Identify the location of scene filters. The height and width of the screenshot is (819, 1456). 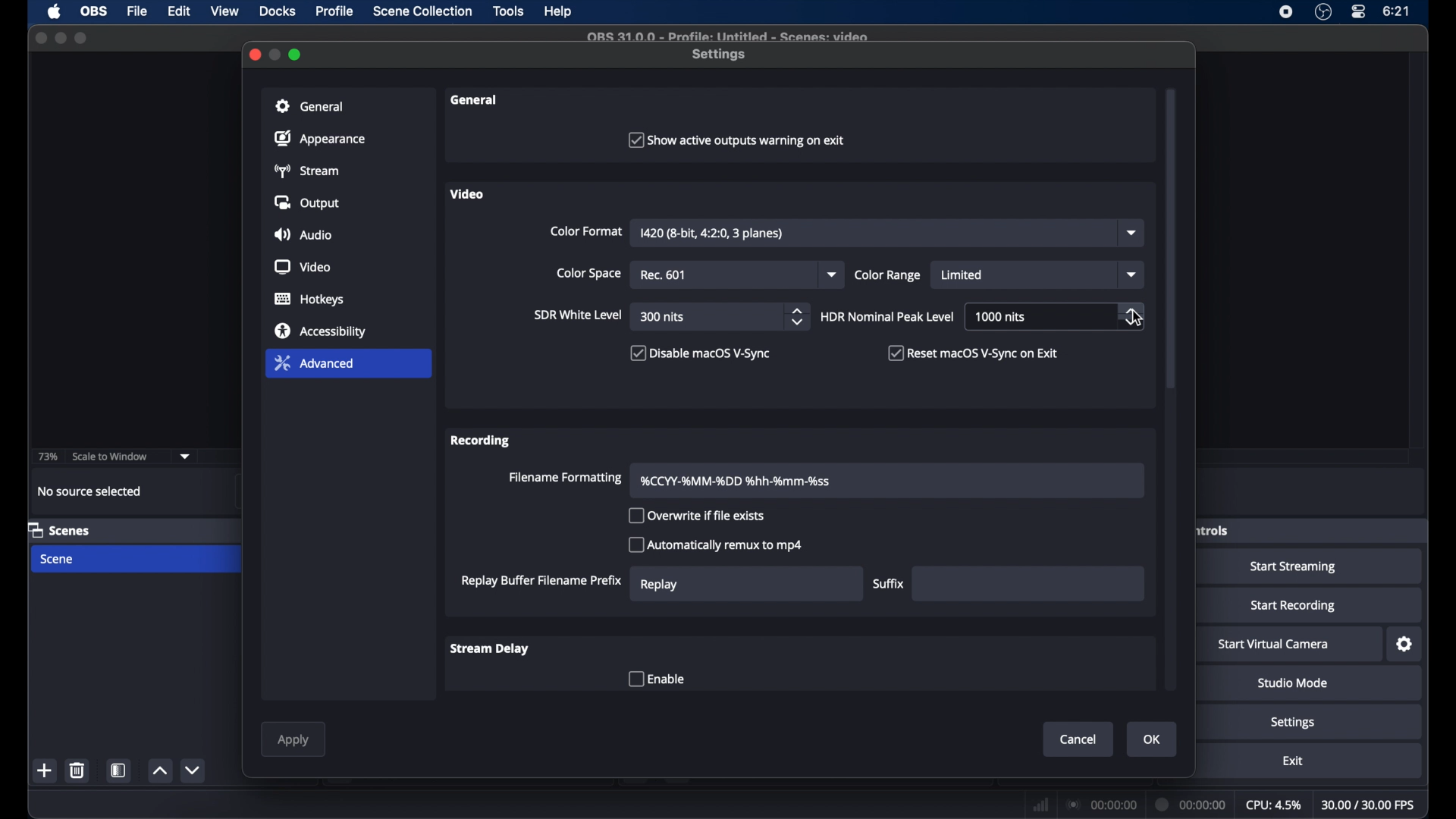
(119, 770).